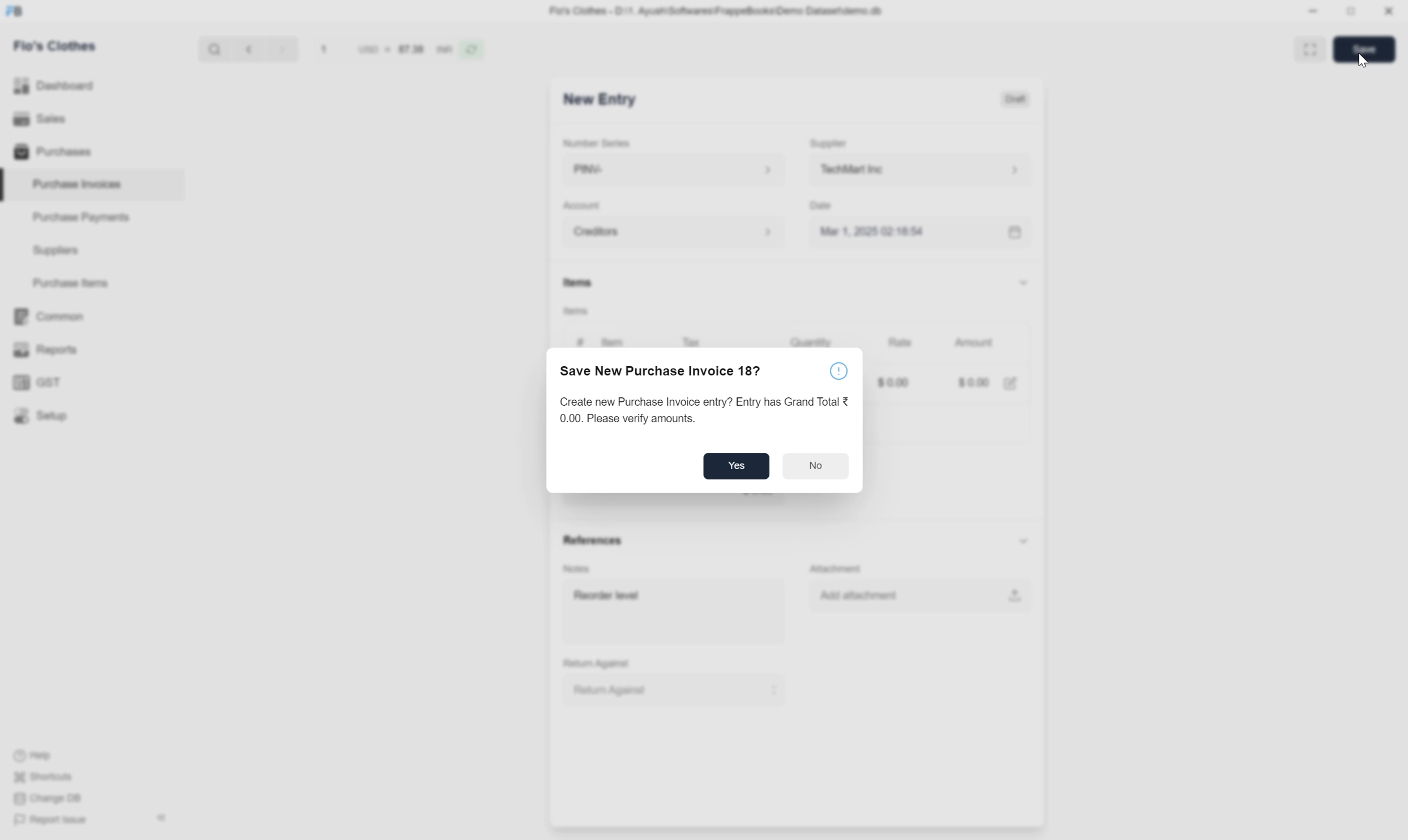 The height and width of the screenshot is (840, 1408). I want to click on cursor, so click(1362, 62).